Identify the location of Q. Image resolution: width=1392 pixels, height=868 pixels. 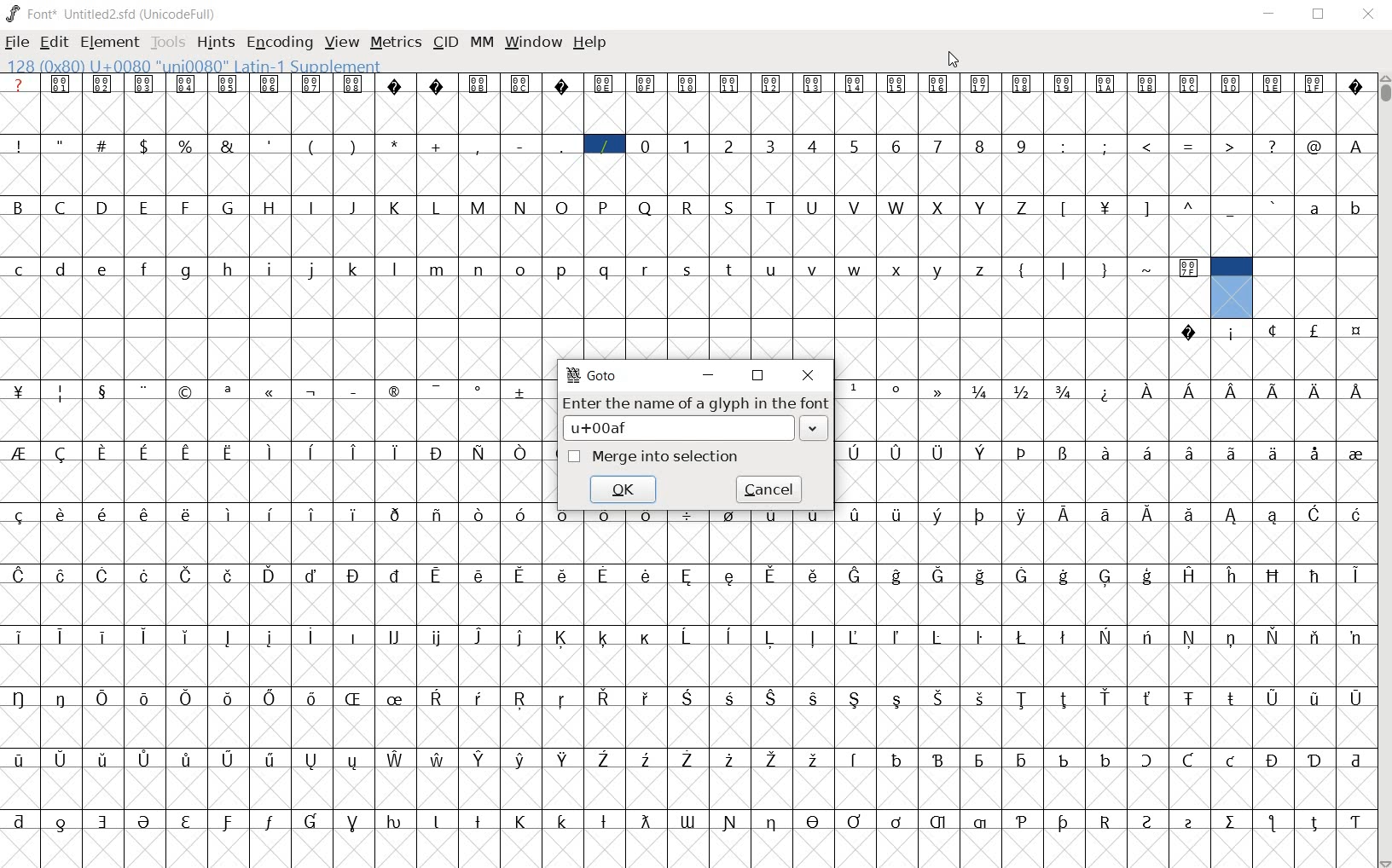
(647, 205).